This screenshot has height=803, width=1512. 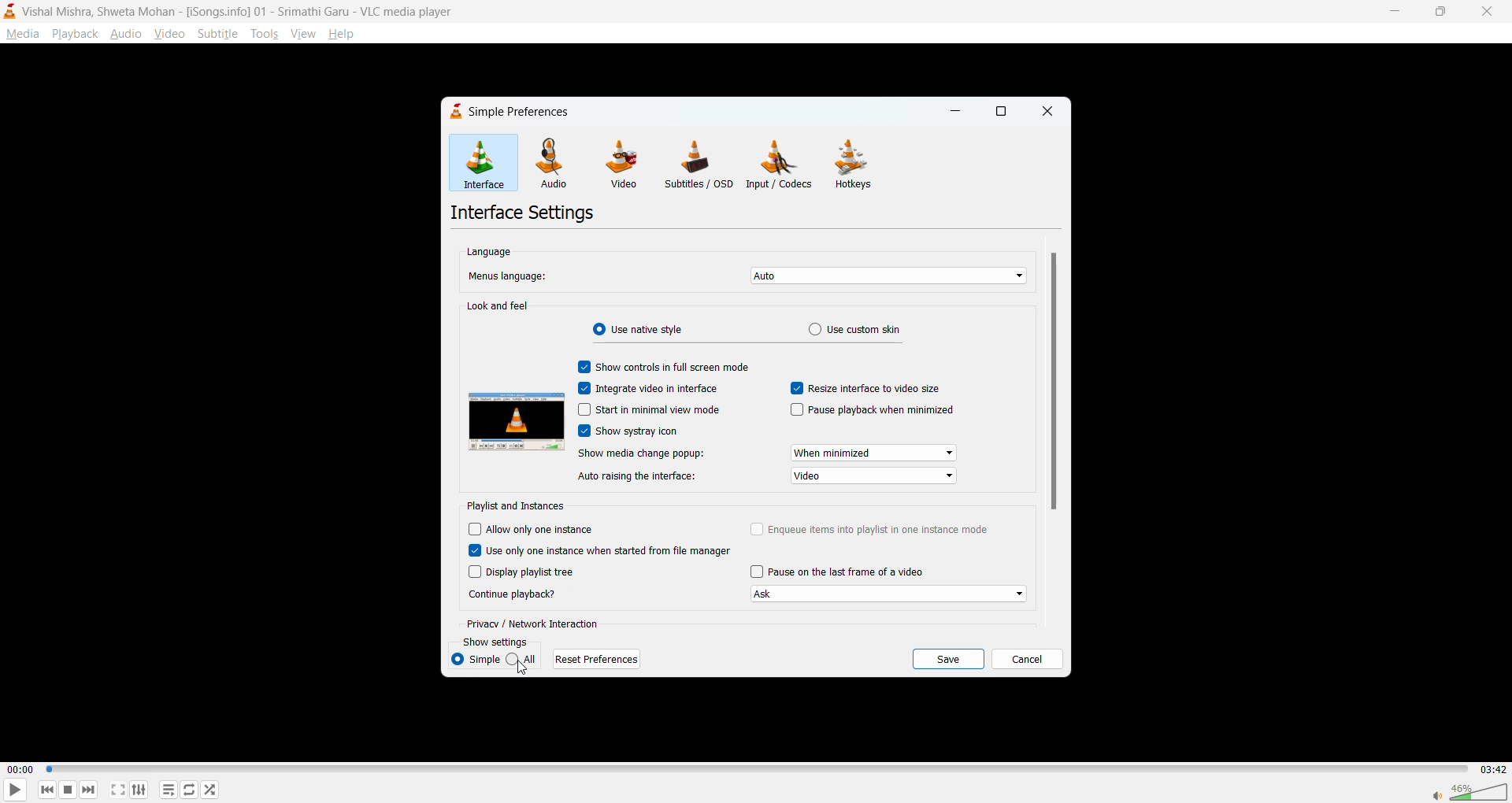 What do you see at coordinates (1436, 13) in the screenshot?
I see `maximize` at bounding box center [1436, 13].